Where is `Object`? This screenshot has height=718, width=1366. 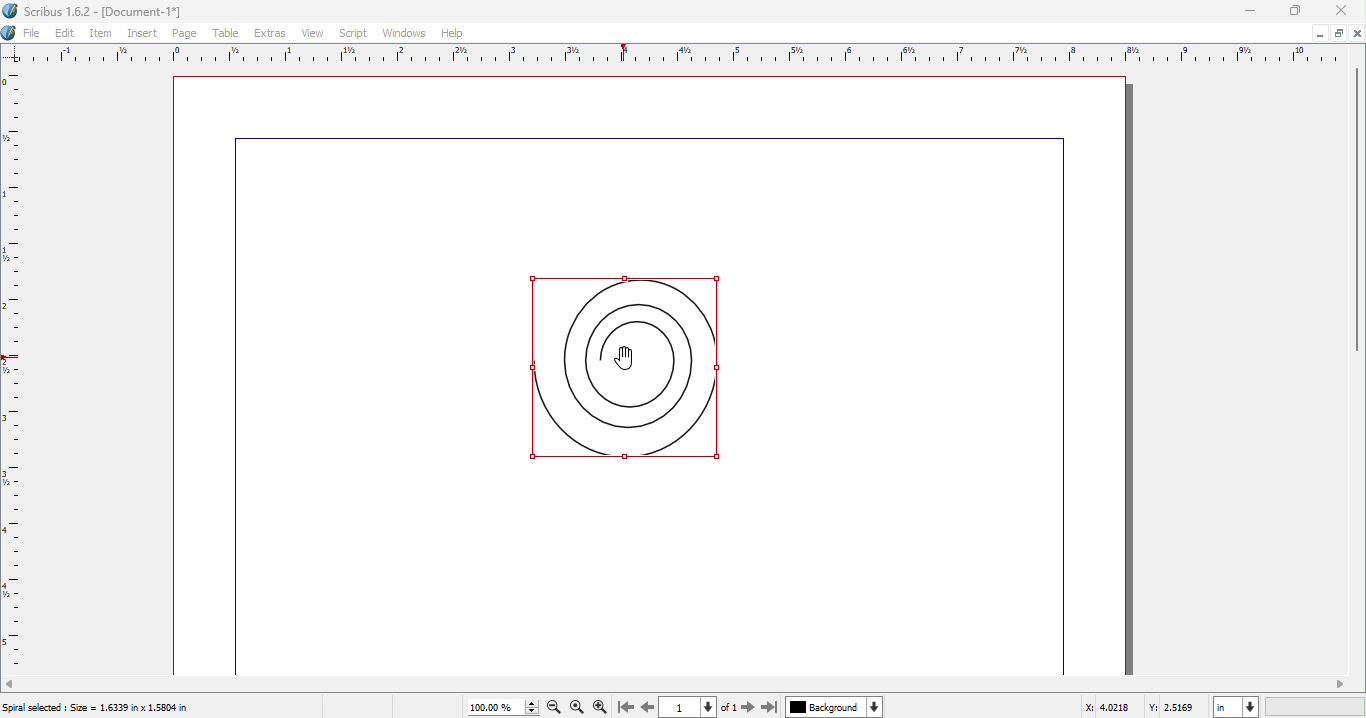 Object is located at coordinates (614, 362).